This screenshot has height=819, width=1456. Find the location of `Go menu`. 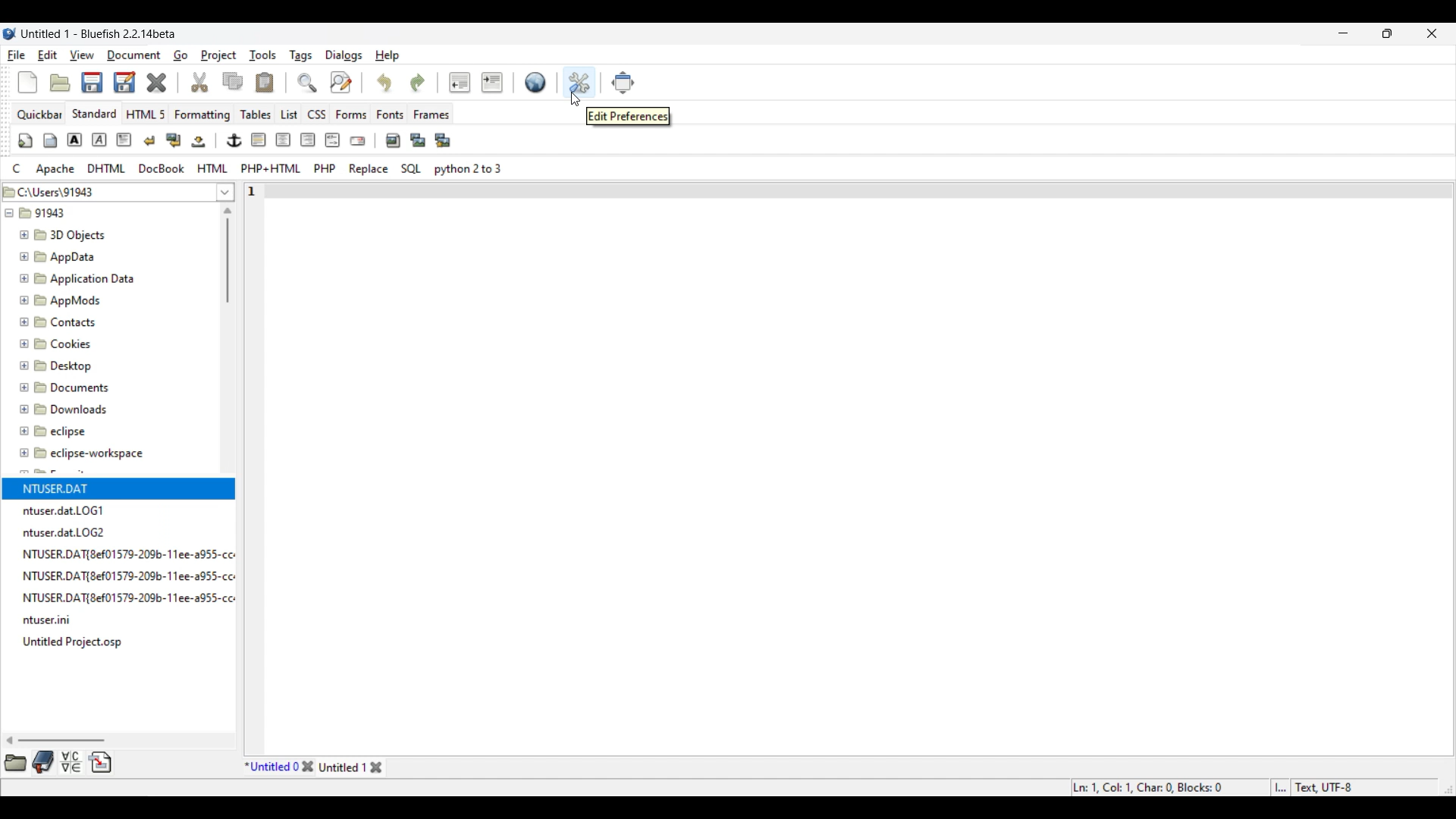

Go menu is located at coordinates (180, 55).